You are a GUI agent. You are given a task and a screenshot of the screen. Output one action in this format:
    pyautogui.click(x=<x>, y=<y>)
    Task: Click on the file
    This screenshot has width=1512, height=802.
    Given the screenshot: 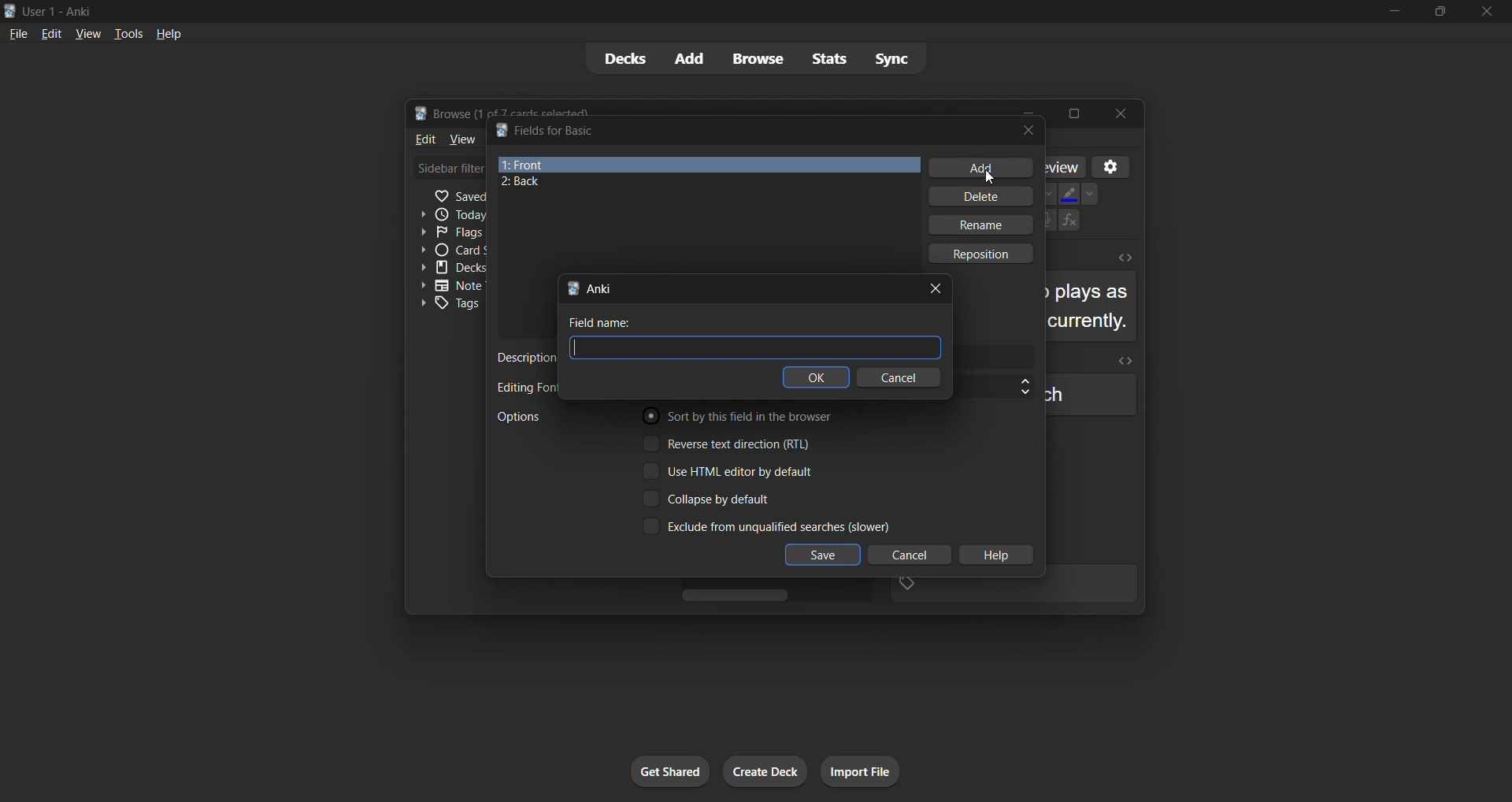 What is the action you would take?
    pyautogui.click(x=17, y=34)
    